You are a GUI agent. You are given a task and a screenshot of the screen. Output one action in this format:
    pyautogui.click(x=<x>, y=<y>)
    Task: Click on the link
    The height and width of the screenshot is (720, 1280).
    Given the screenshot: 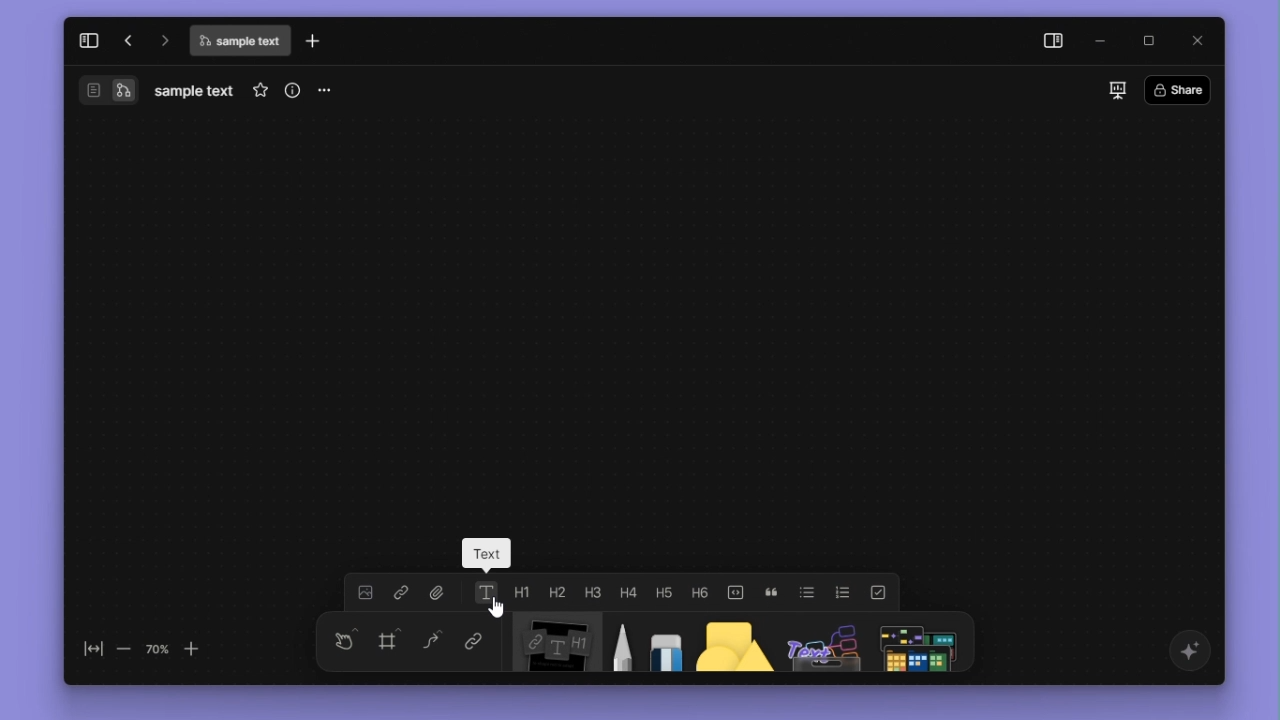 What is the action you would take?
    pyautogui.click(x=400, y=593)
    